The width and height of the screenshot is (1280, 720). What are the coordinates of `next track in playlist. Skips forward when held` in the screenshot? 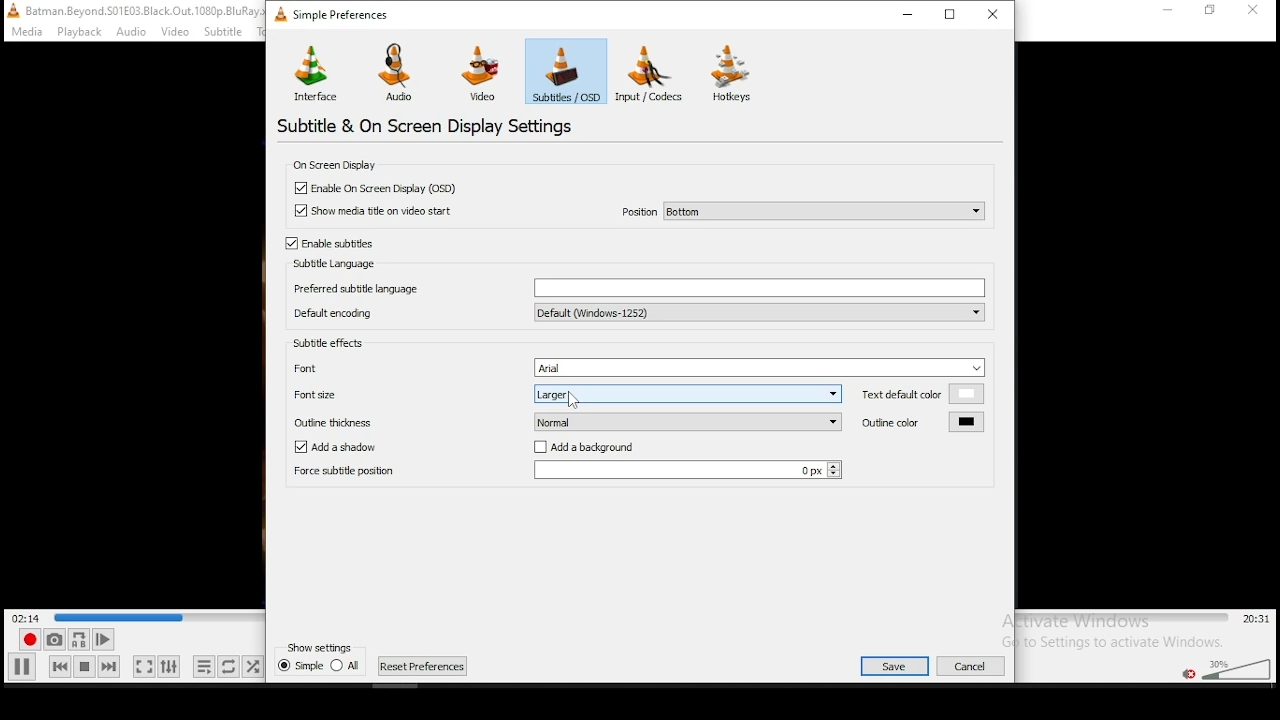 It's located at (108, 666).